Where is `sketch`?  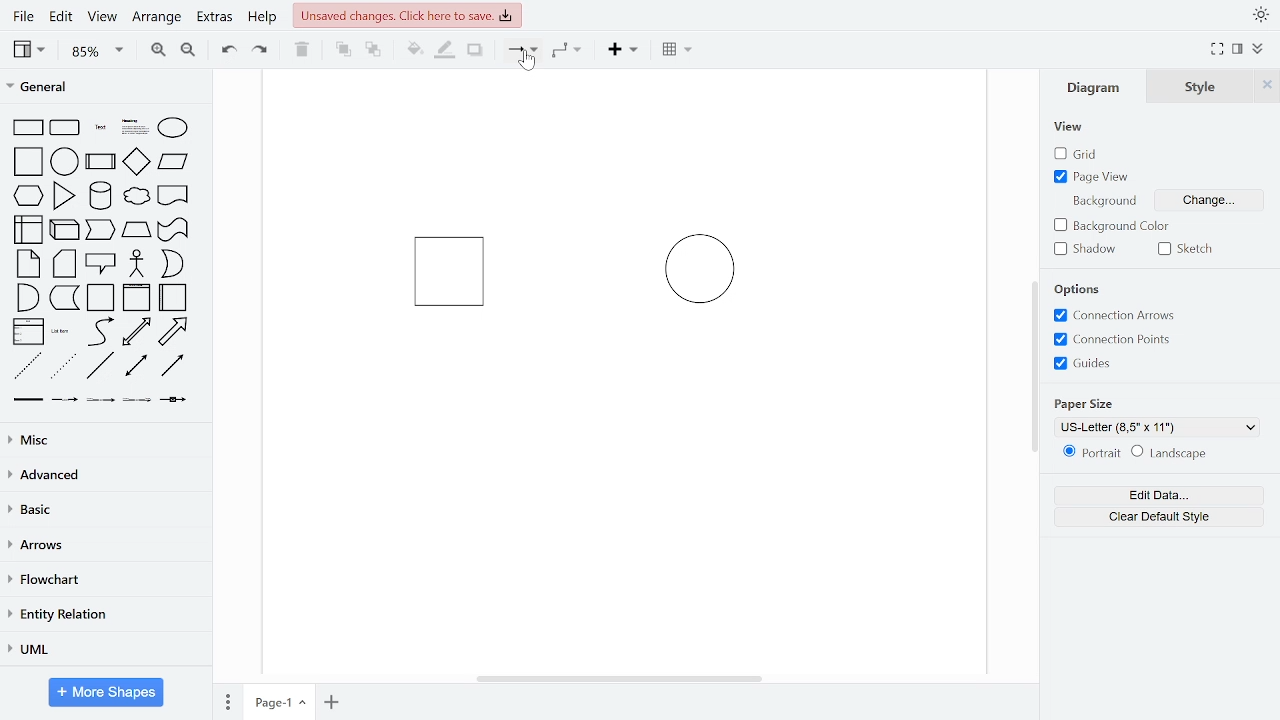
sketch is located at coordinates (1190, 249).